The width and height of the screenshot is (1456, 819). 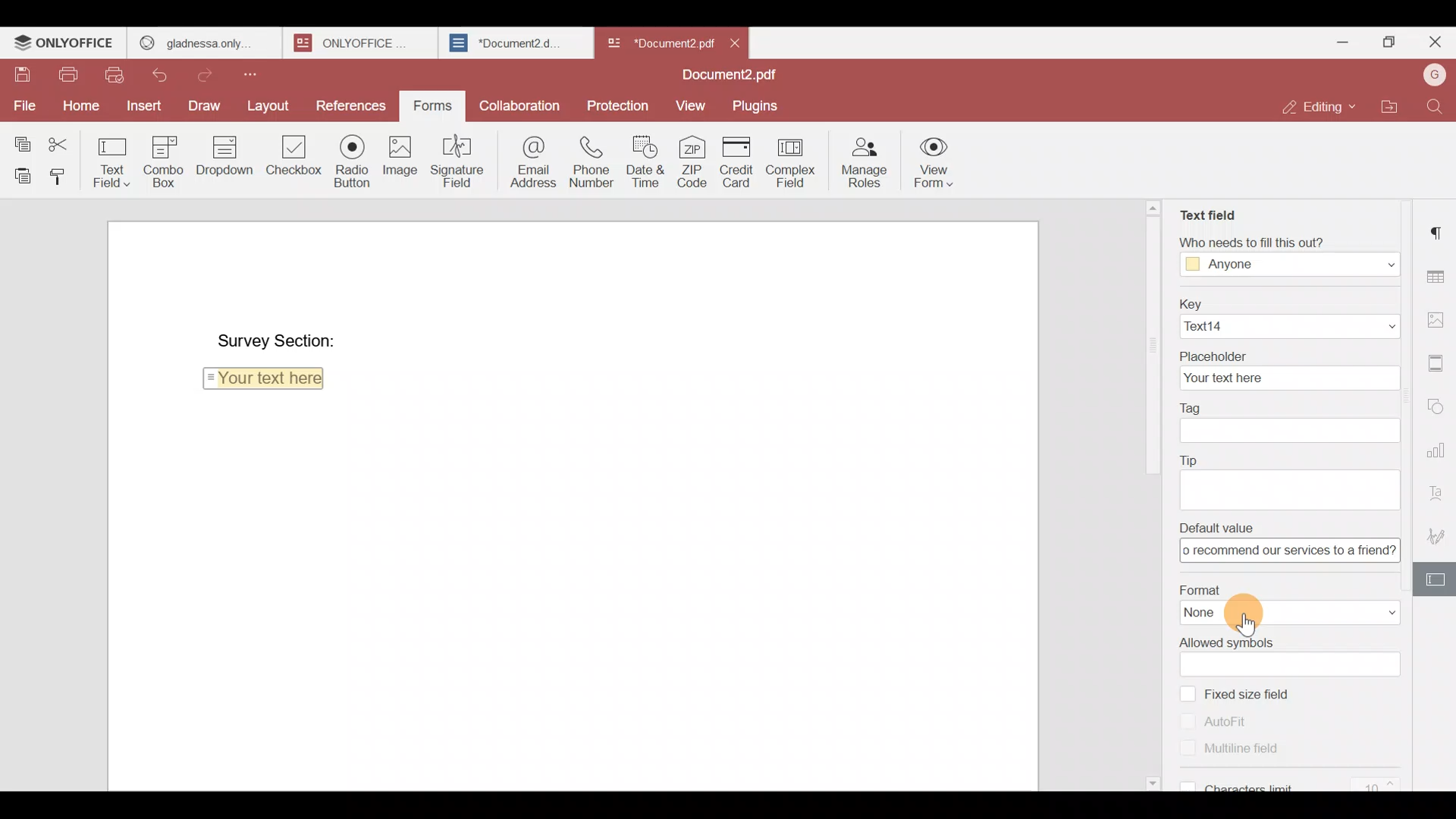 I want to click on *Document2.d.., so click(x=507, y=41).